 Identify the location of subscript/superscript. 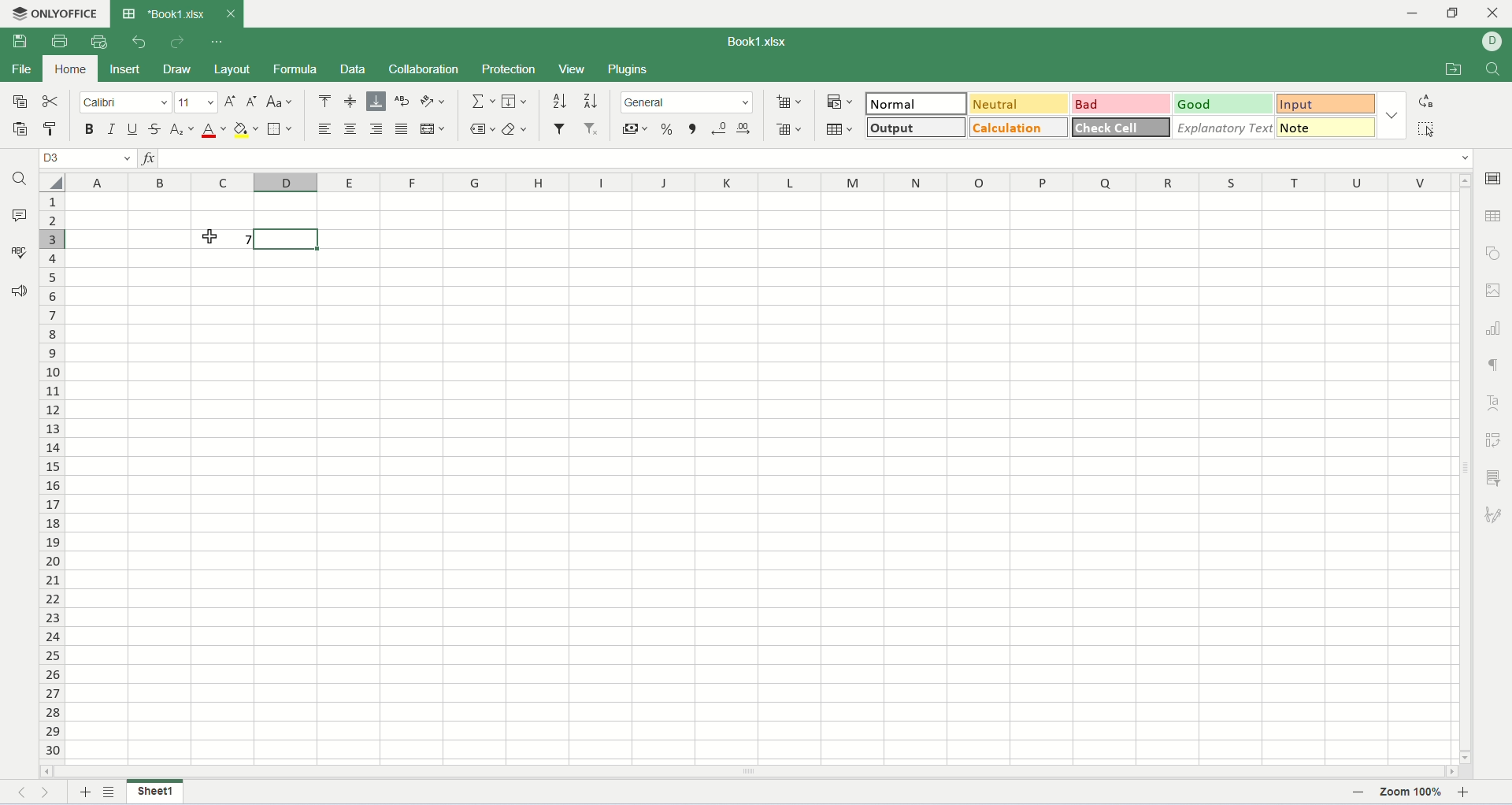
(180, 129).